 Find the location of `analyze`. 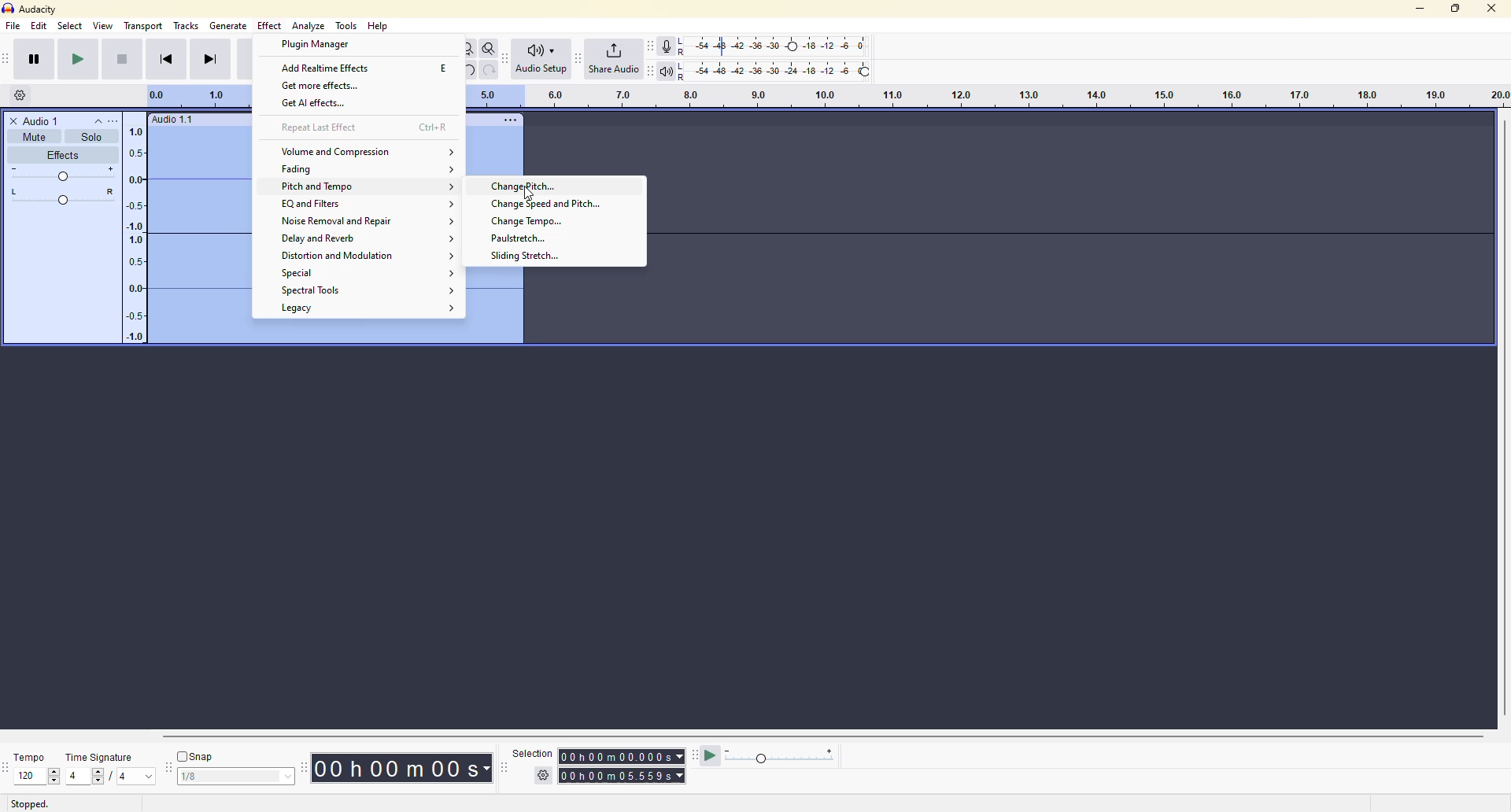

analyze is located at coordinates (310, 26).